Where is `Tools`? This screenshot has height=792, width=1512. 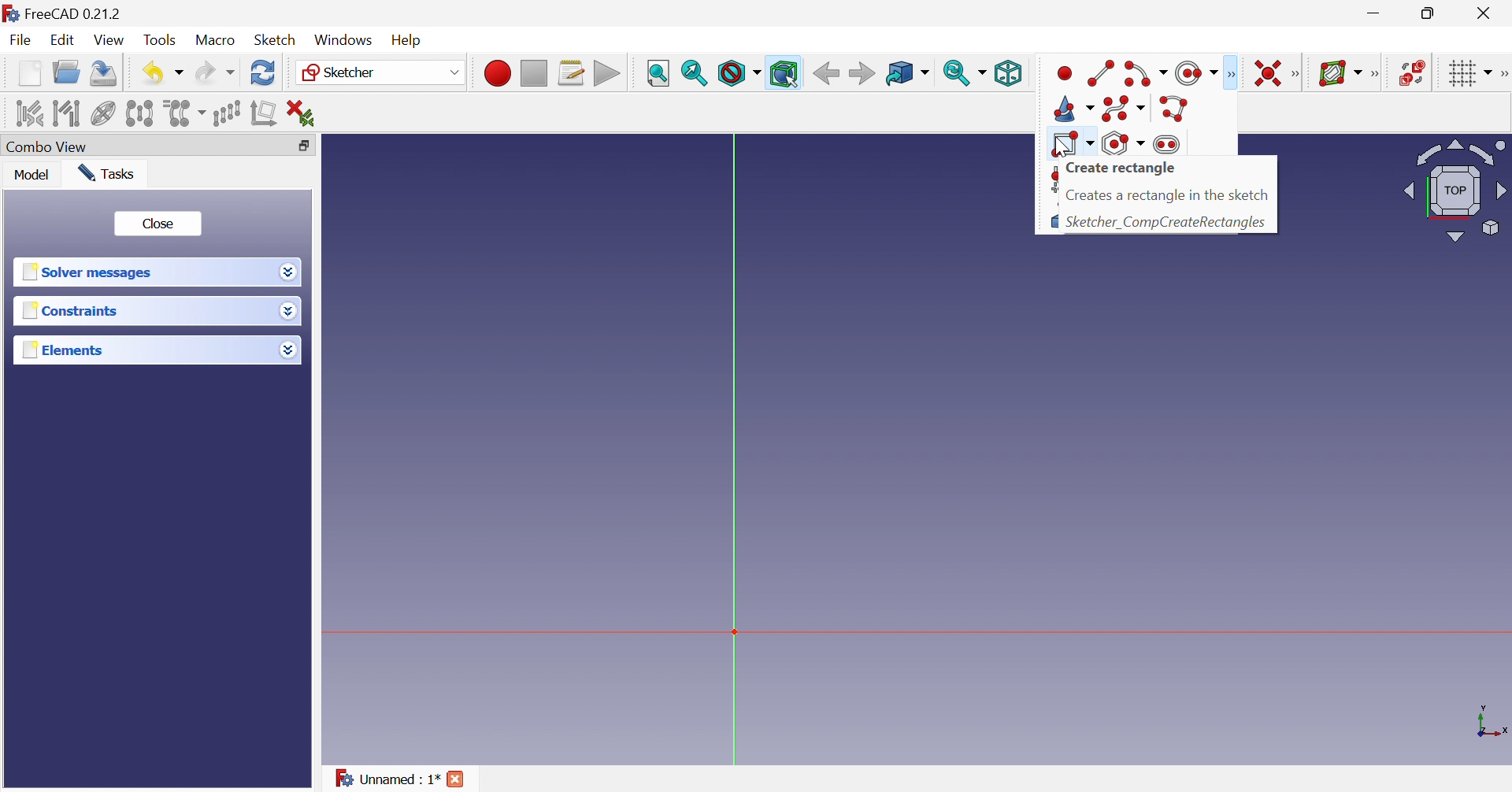 Tools is located at coordinates (159, 41).